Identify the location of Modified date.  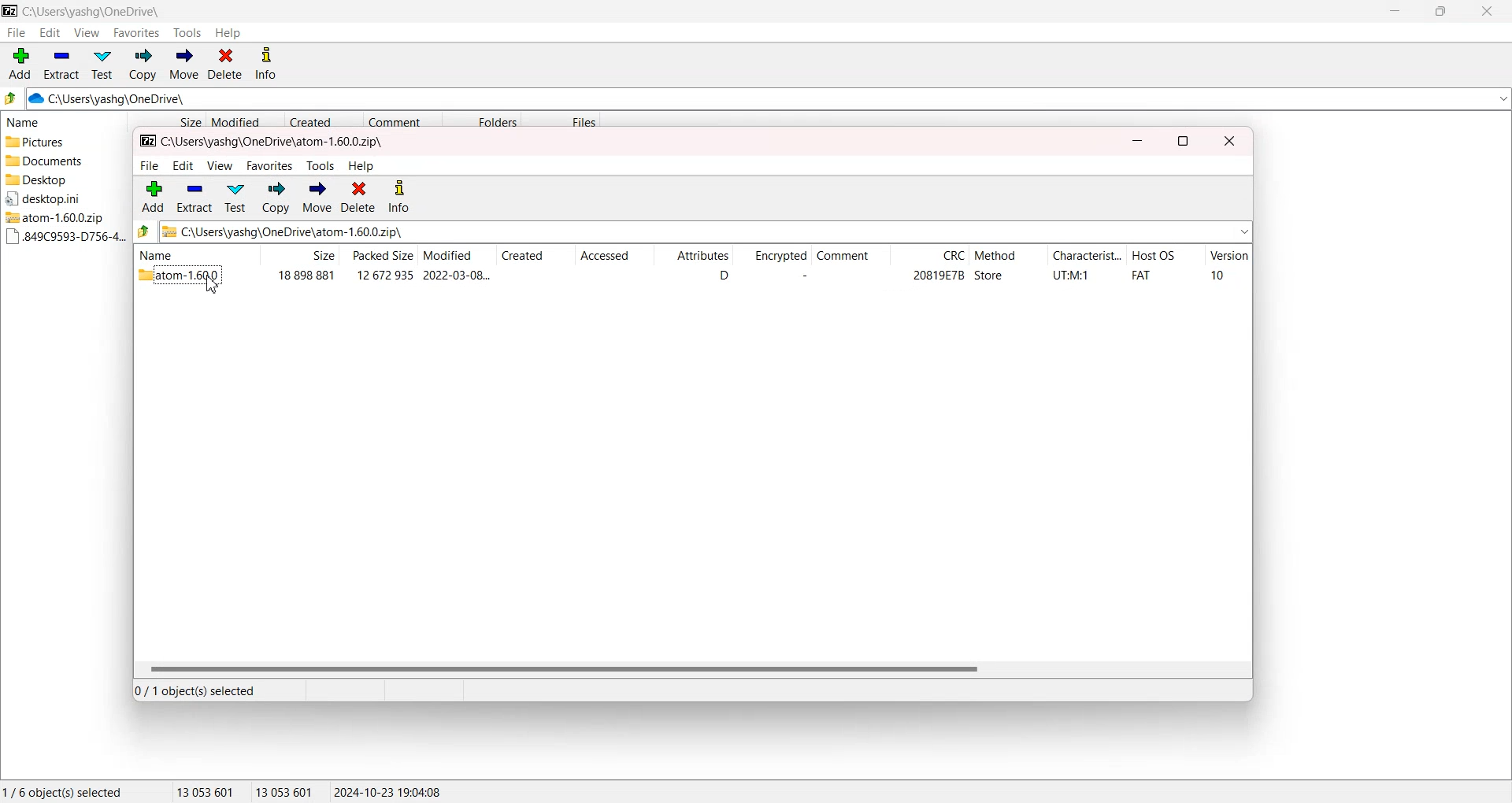
(244, 120).